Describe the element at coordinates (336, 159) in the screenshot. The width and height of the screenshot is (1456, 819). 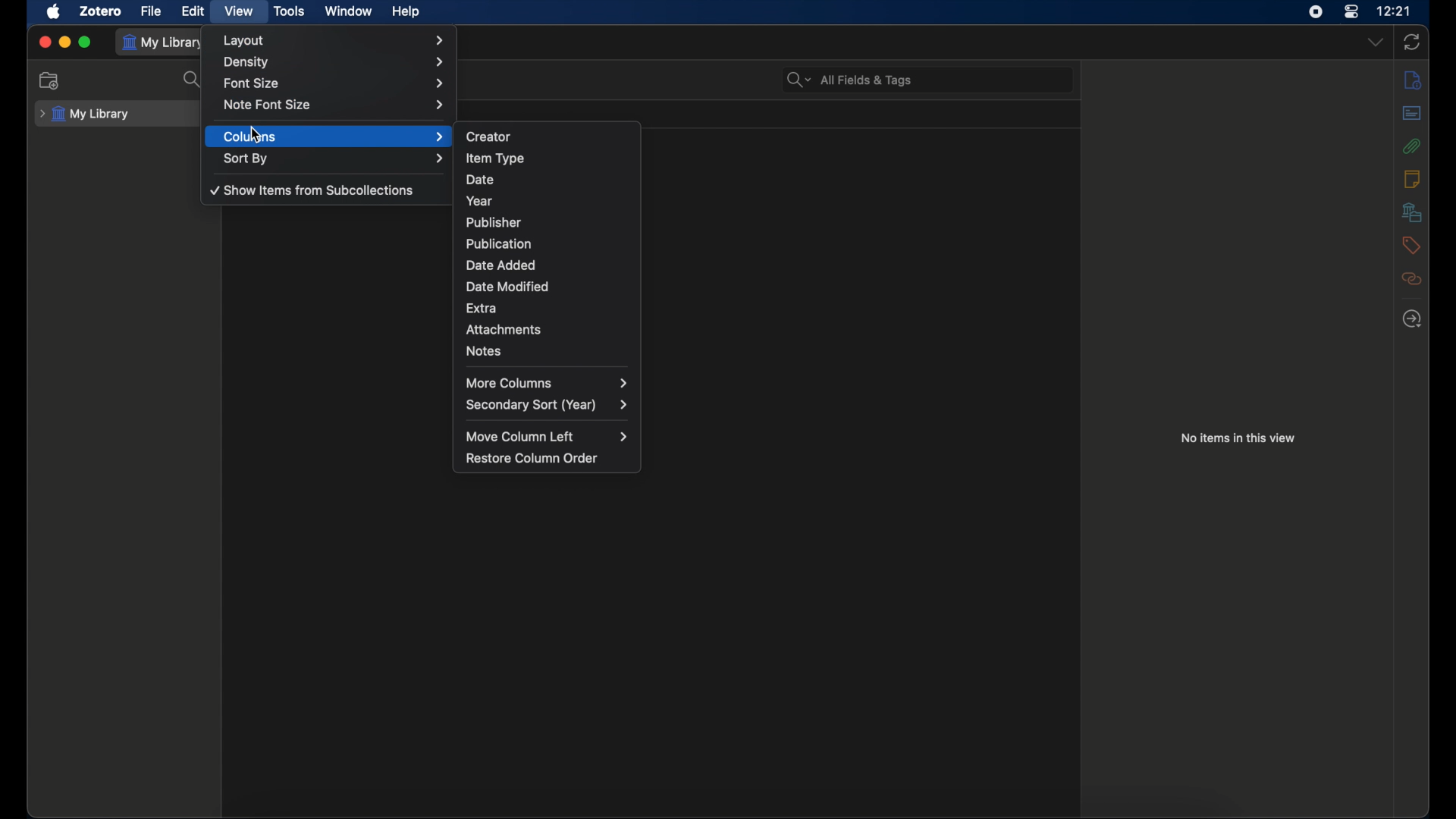
I see `sort by` at that location.